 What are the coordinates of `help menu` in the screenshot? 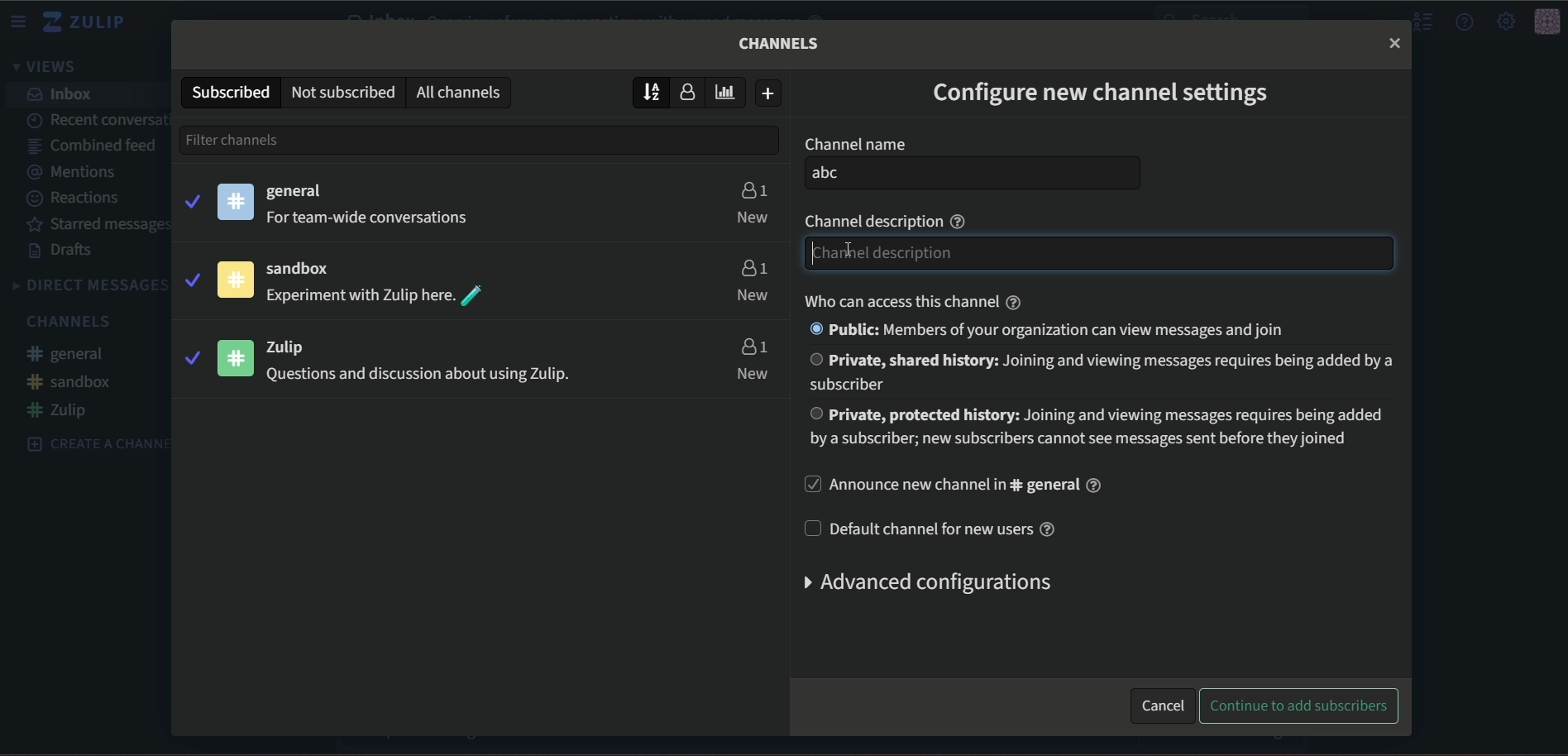 It's located at (1465, 22).